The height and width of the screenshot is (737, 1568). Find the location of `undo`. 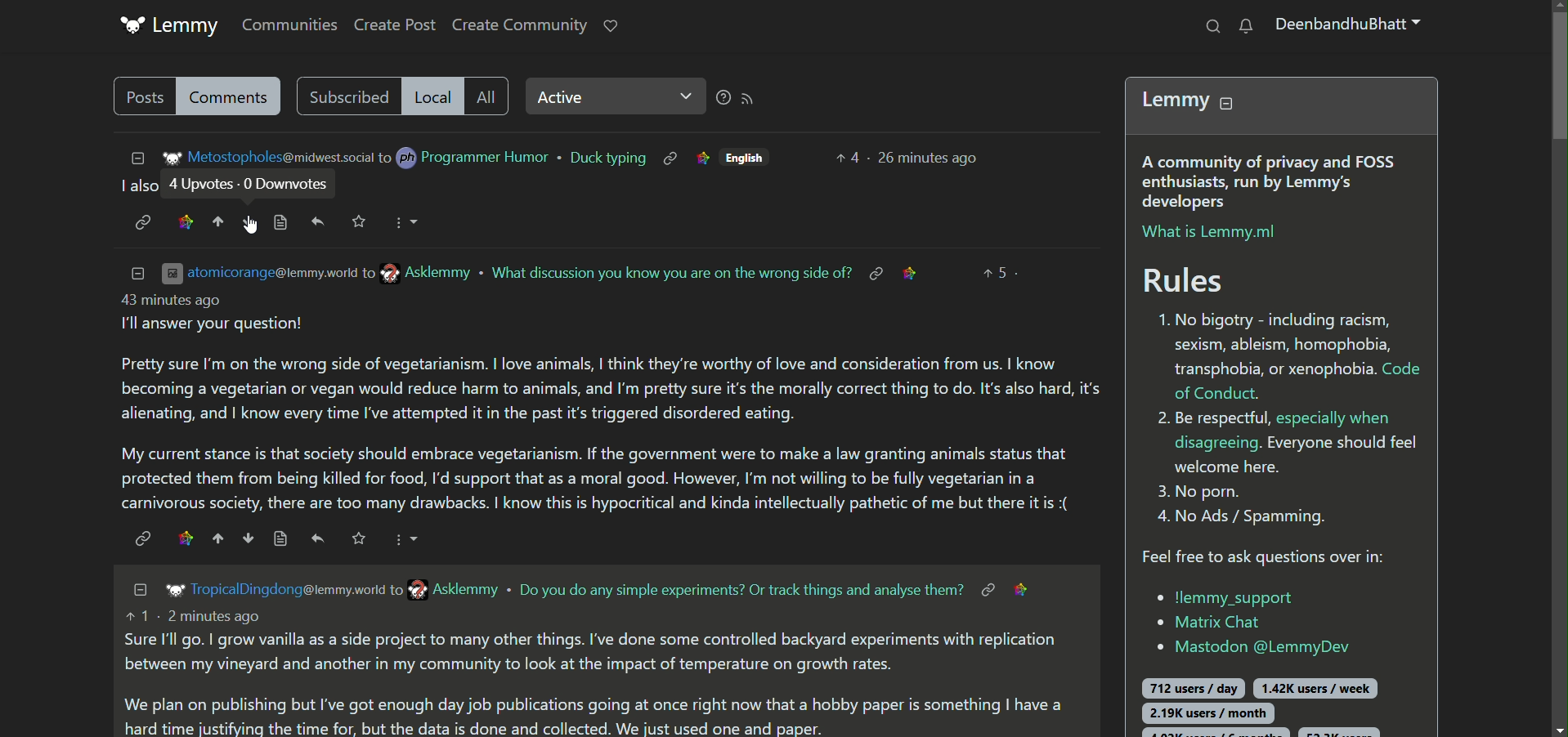

undo is located at coordinates (319, 221).